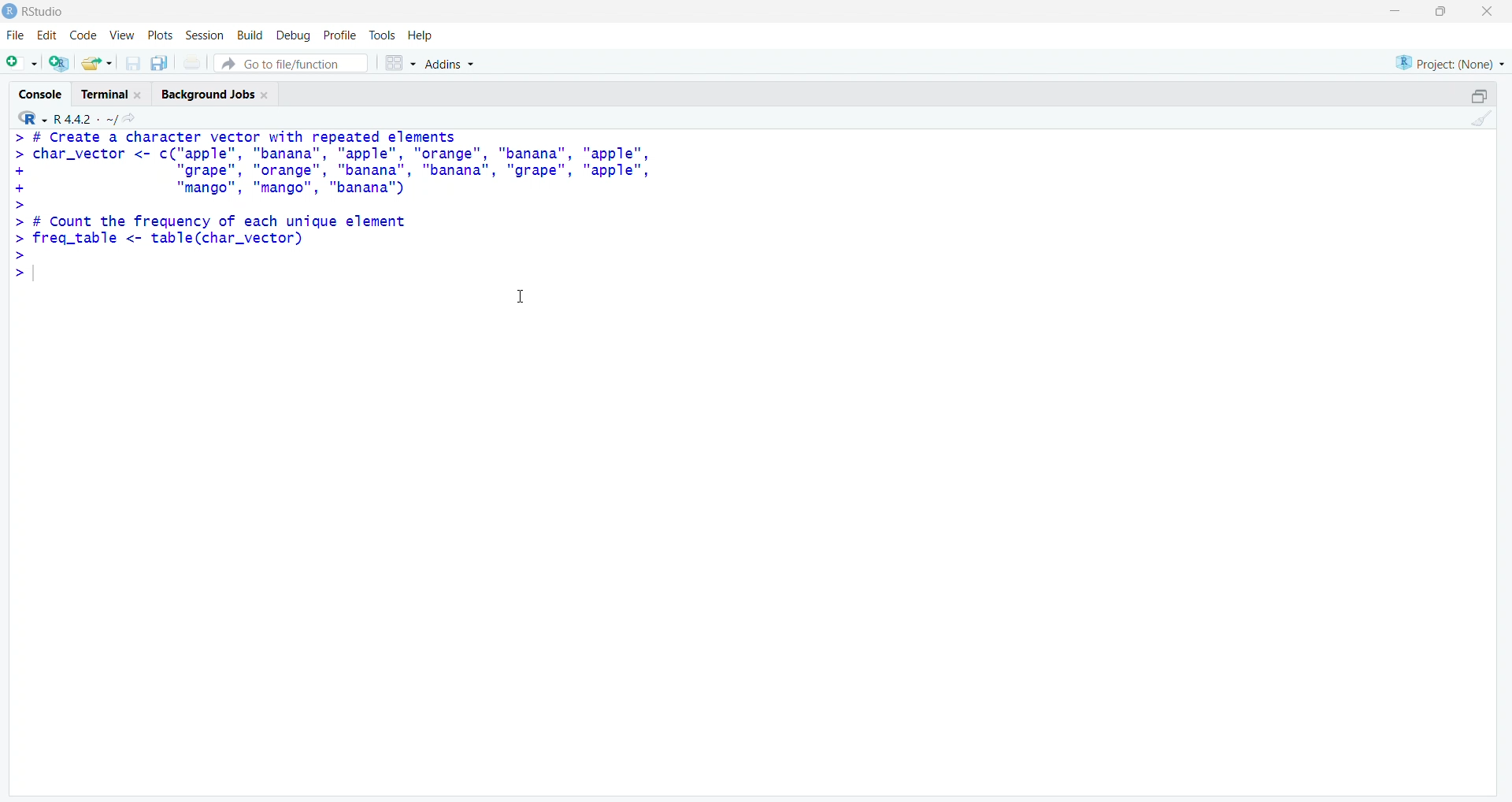  I want to click on R, so click(32, 117).